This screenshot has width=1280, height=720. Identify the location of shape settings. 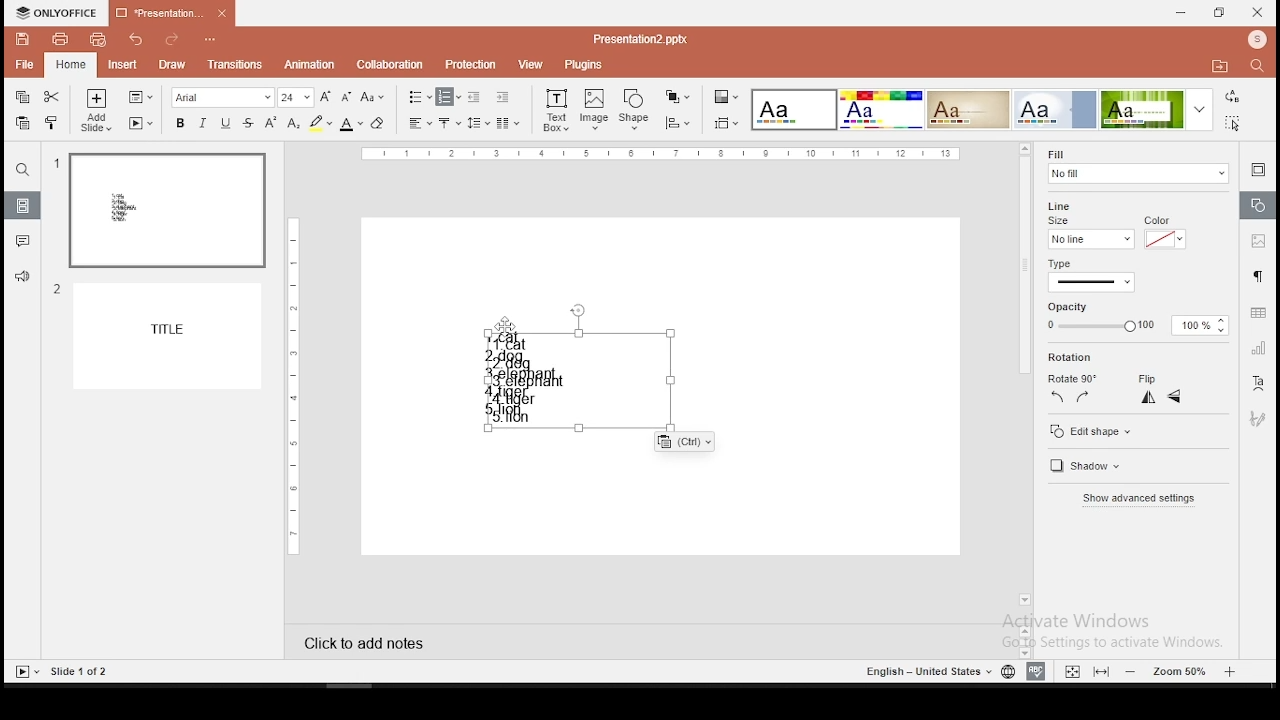
(1256, 204).